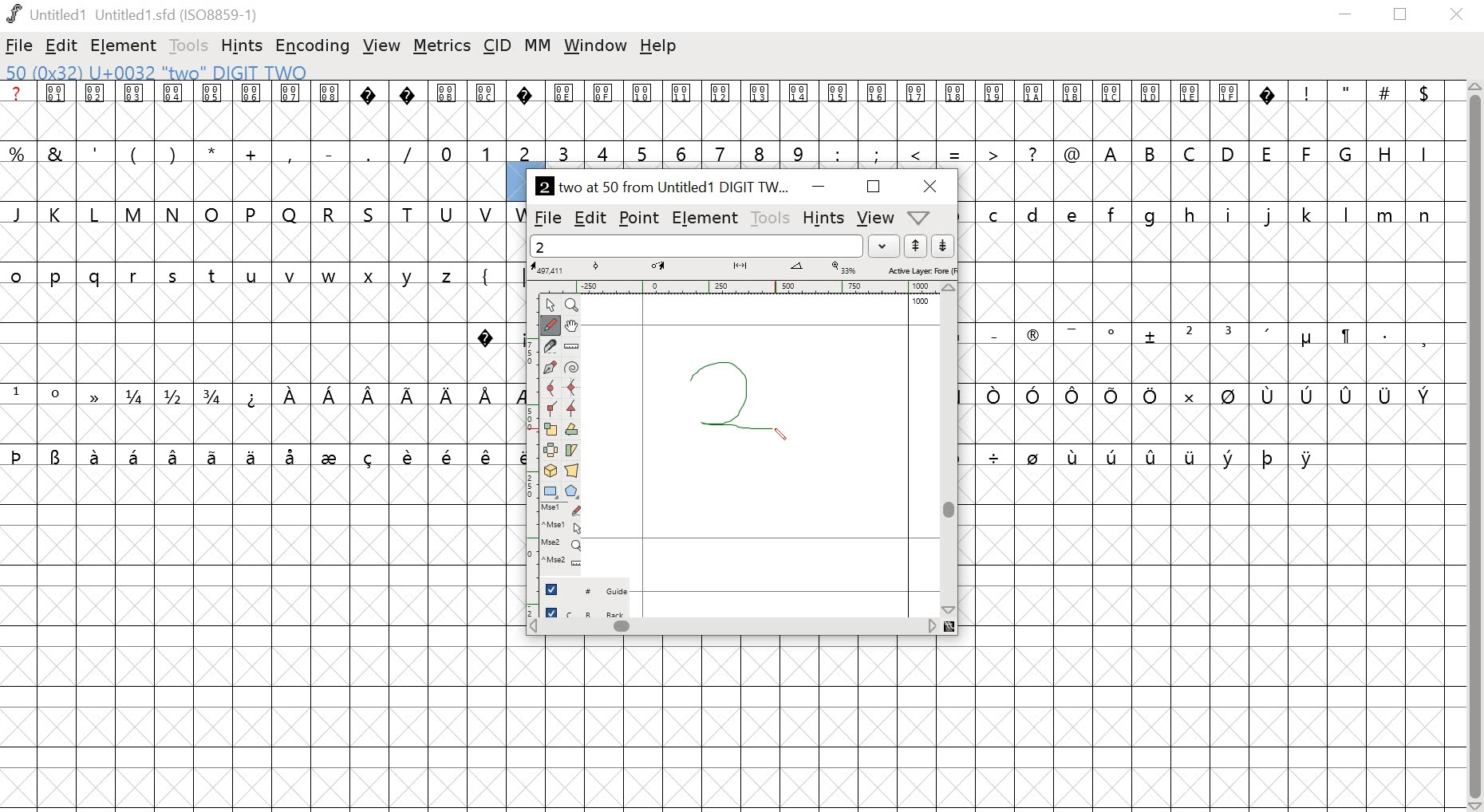  Describe the element at coordinates (259, 279) in the screenshot. I see `glyphs` at that location.